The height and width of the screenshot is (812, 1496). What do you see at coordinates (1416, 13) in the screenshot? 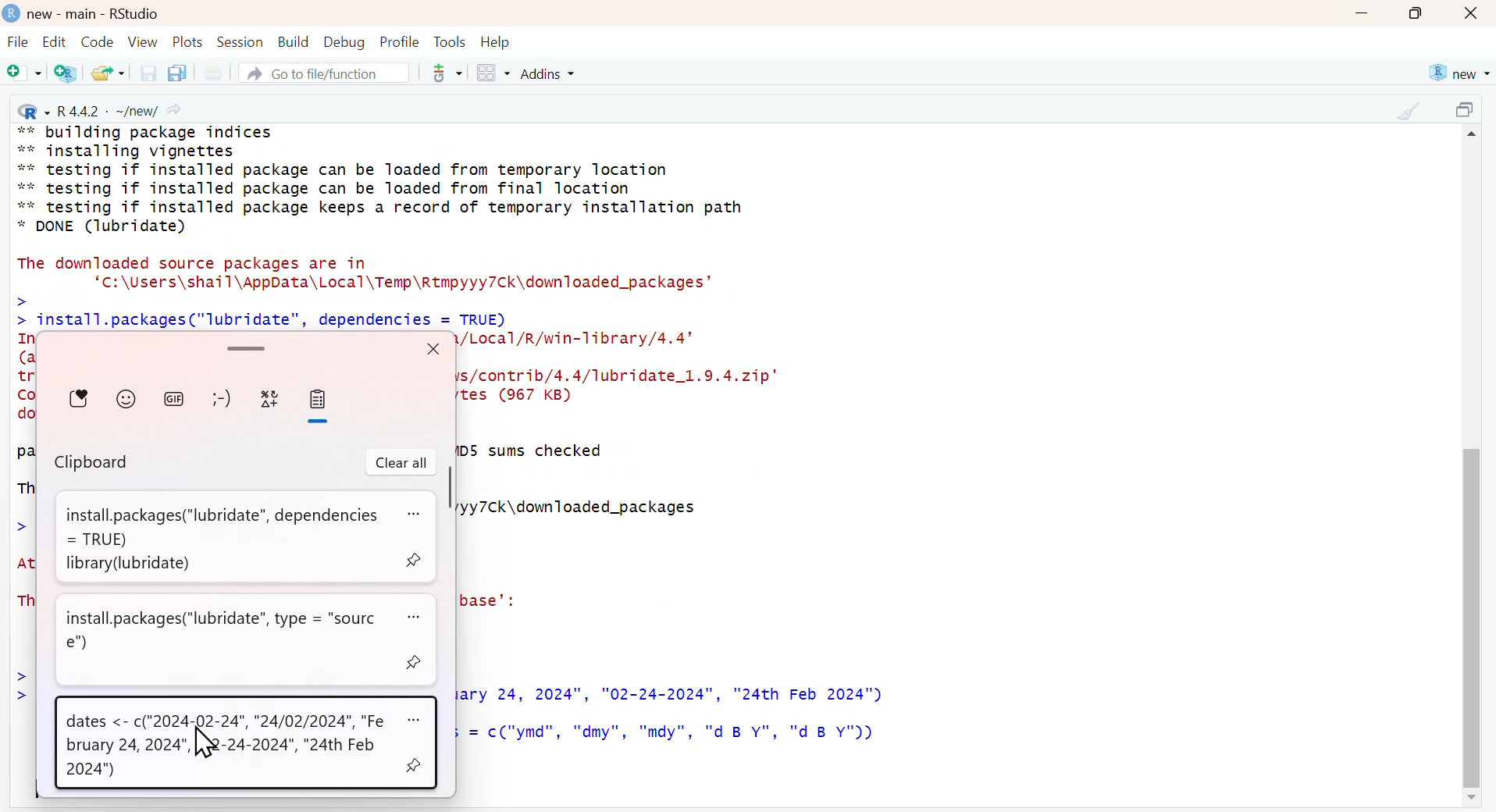
I see `maximize` at bounding box center [1416, 13].